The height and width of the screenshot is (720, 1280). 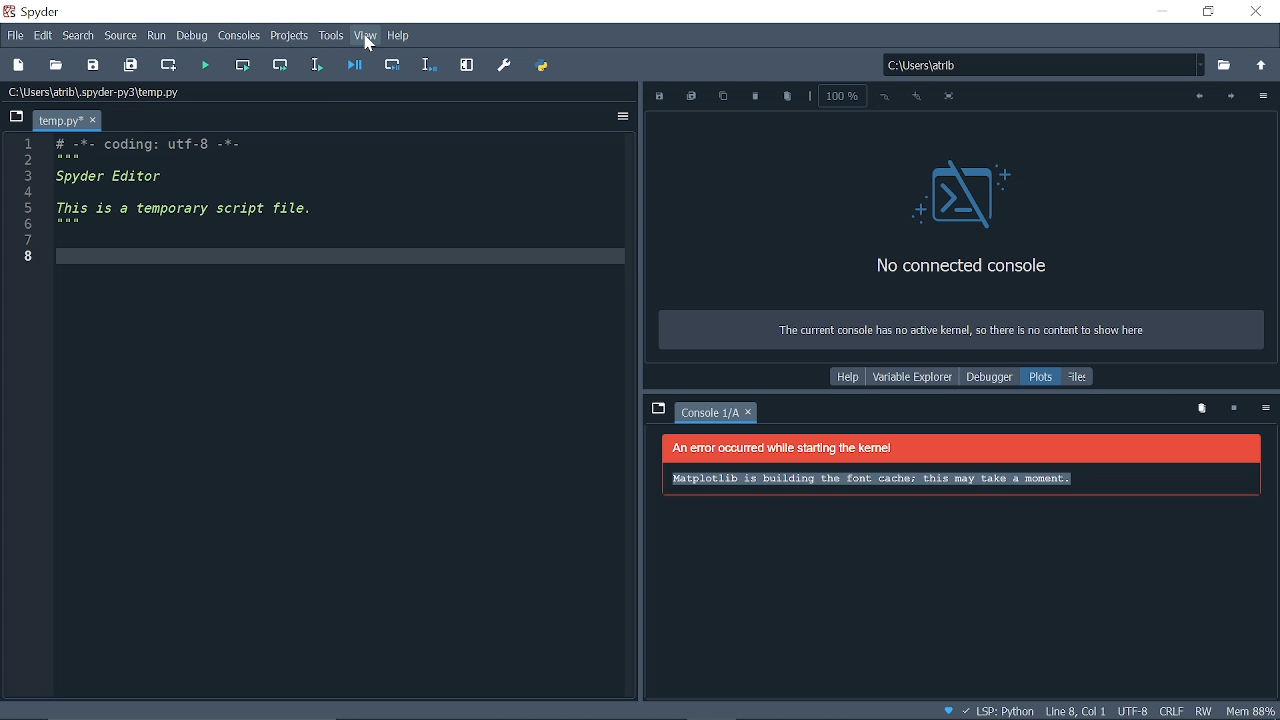 What do you see at coordinates (952, 99) in the screenshot?
I see `Fit to width` at bounding box center [952, 99].